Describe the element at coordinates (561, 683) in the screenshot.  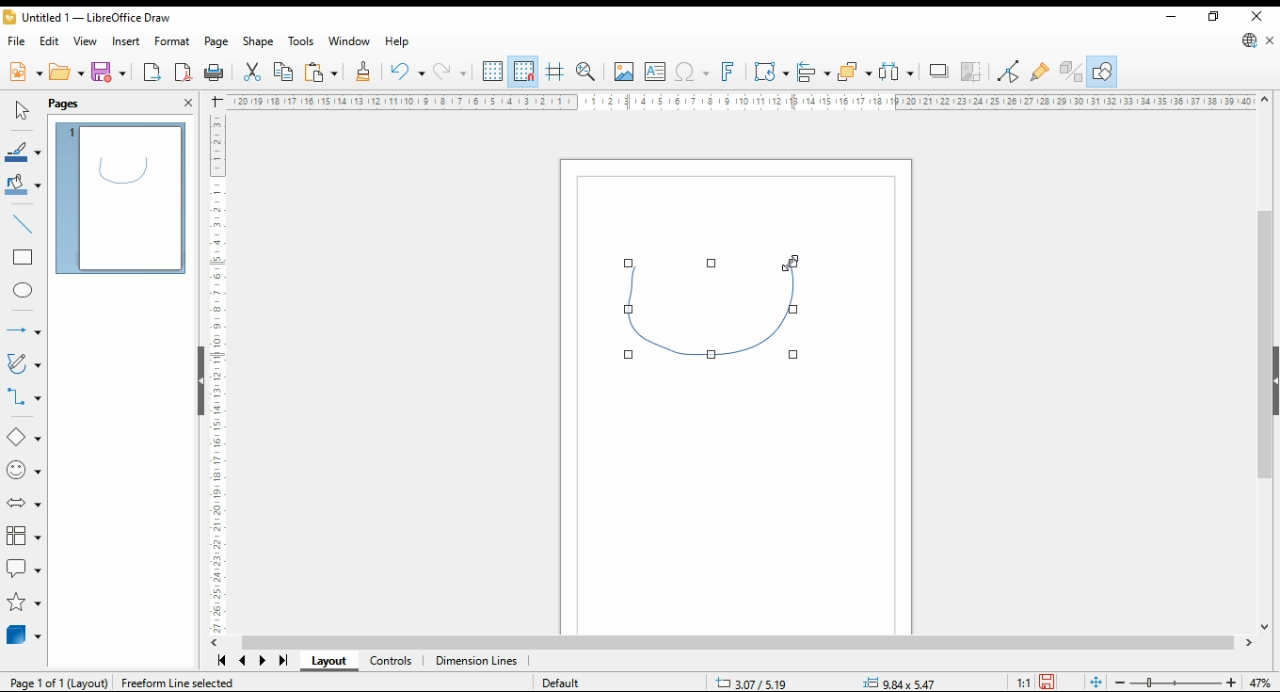
I see `default` at that location.